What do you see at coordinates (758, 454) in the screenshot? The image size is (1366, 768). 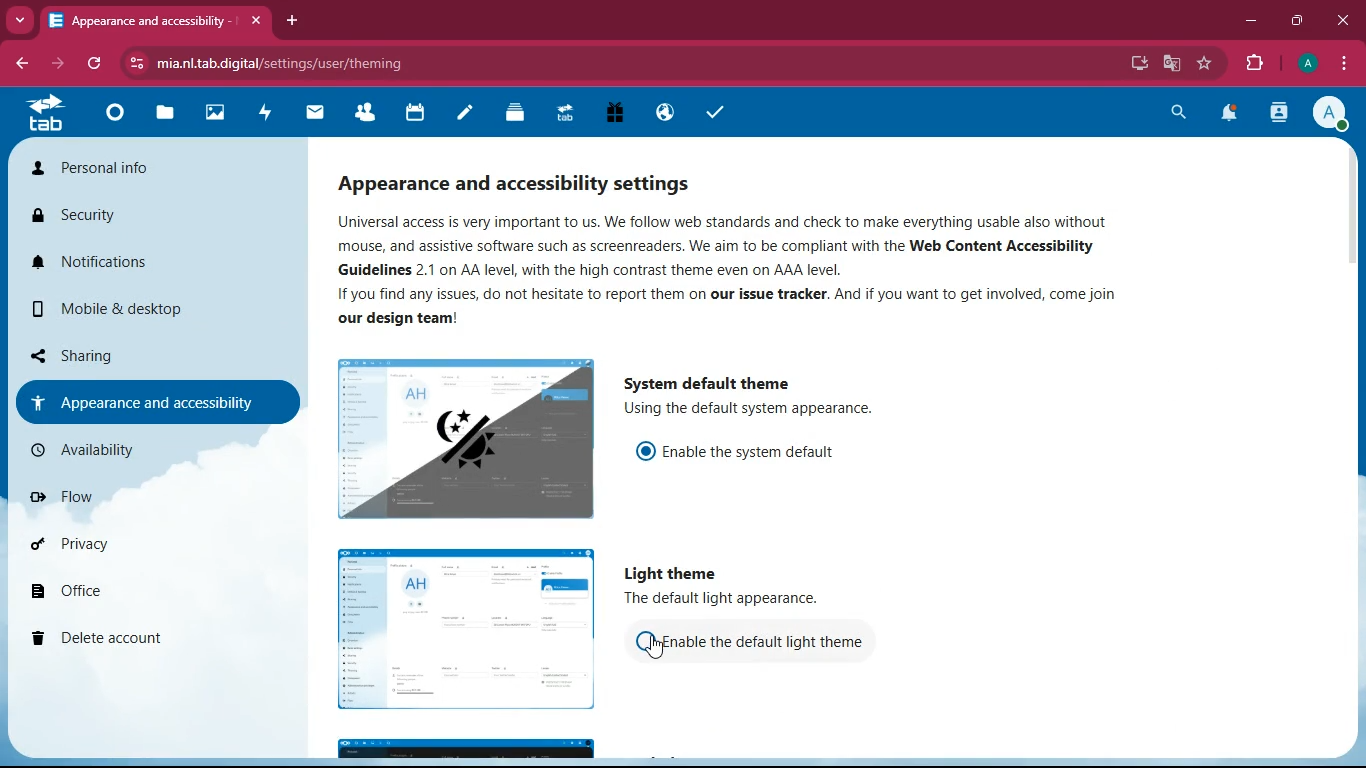 I see `enable` at bounding box center [758, 454].